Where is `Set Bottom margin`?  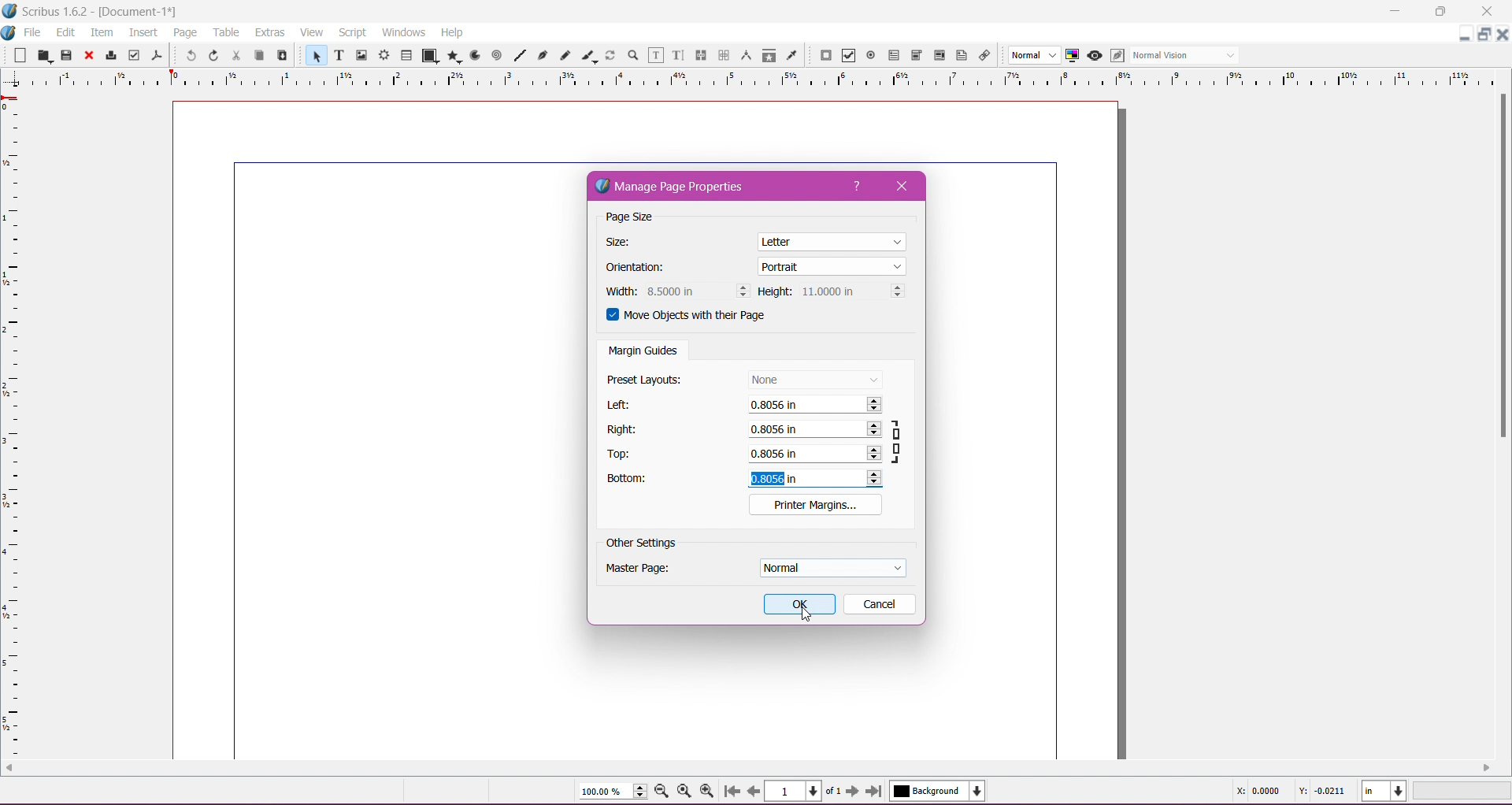
Set Bottom margin is located at coordinates (814, 479).